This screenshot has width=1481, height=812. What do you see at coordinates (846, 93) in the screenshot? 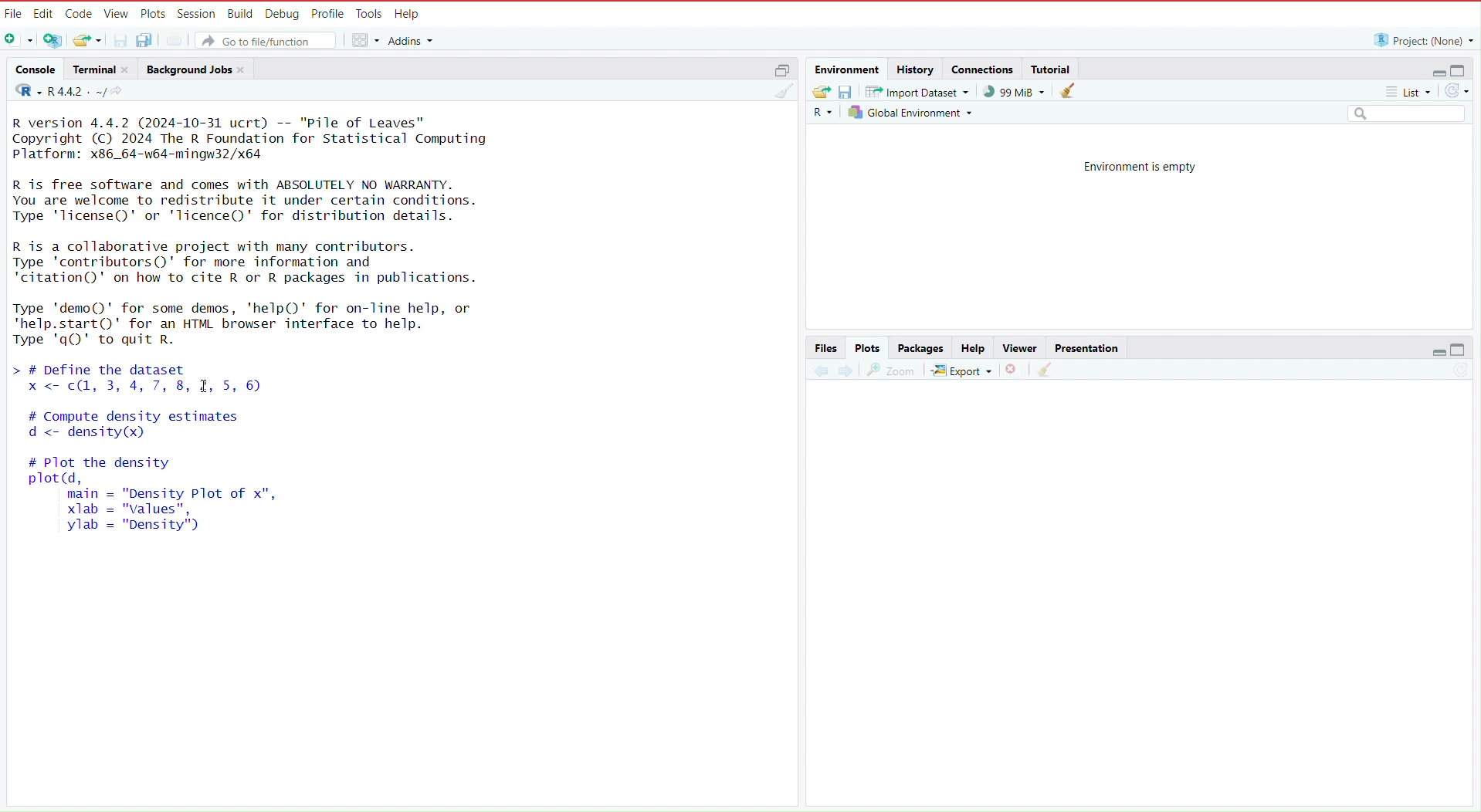
I see `save workspace as` at bounding box center [846, 93].